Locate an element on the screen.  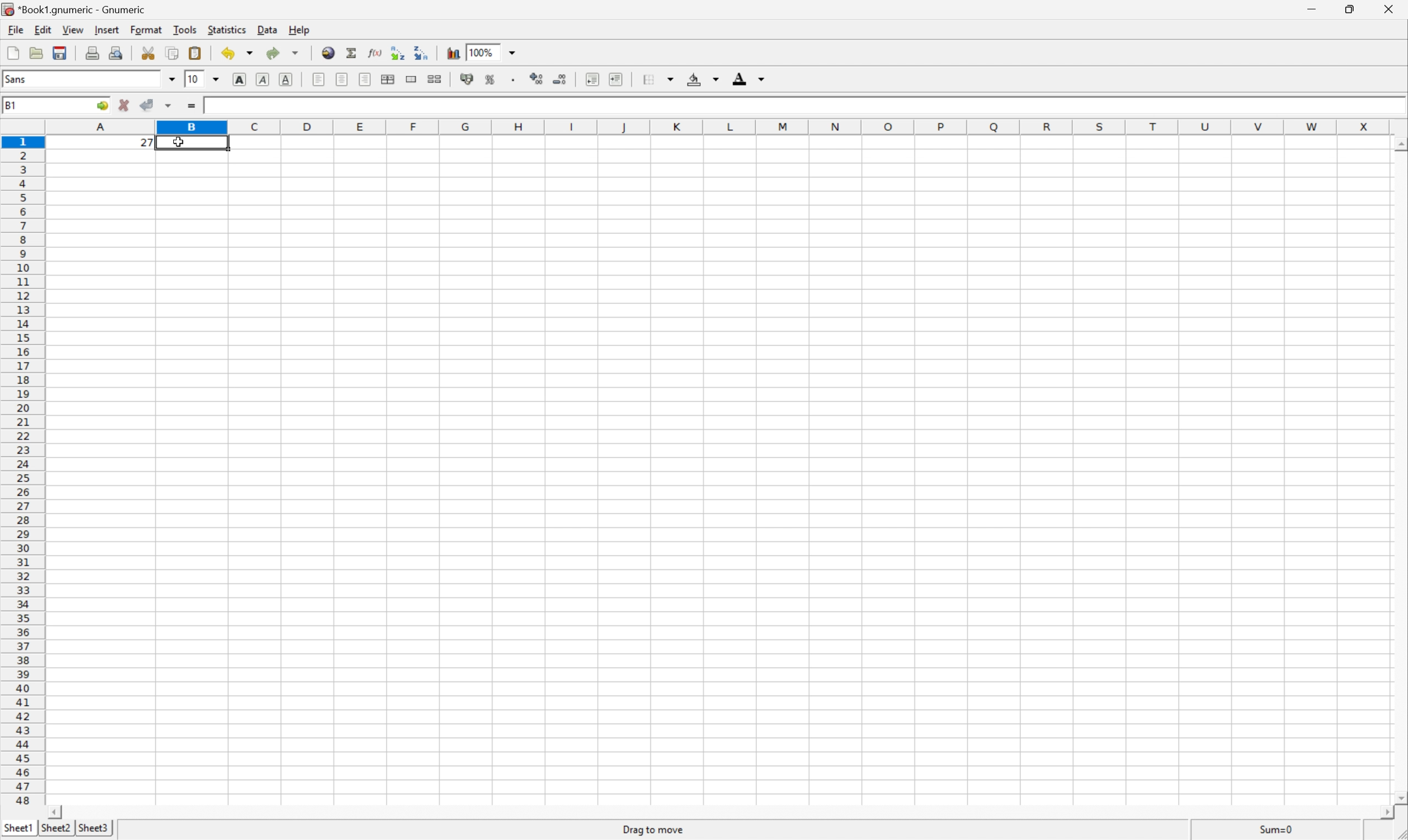
Close is located at coordinates (1388, 8).